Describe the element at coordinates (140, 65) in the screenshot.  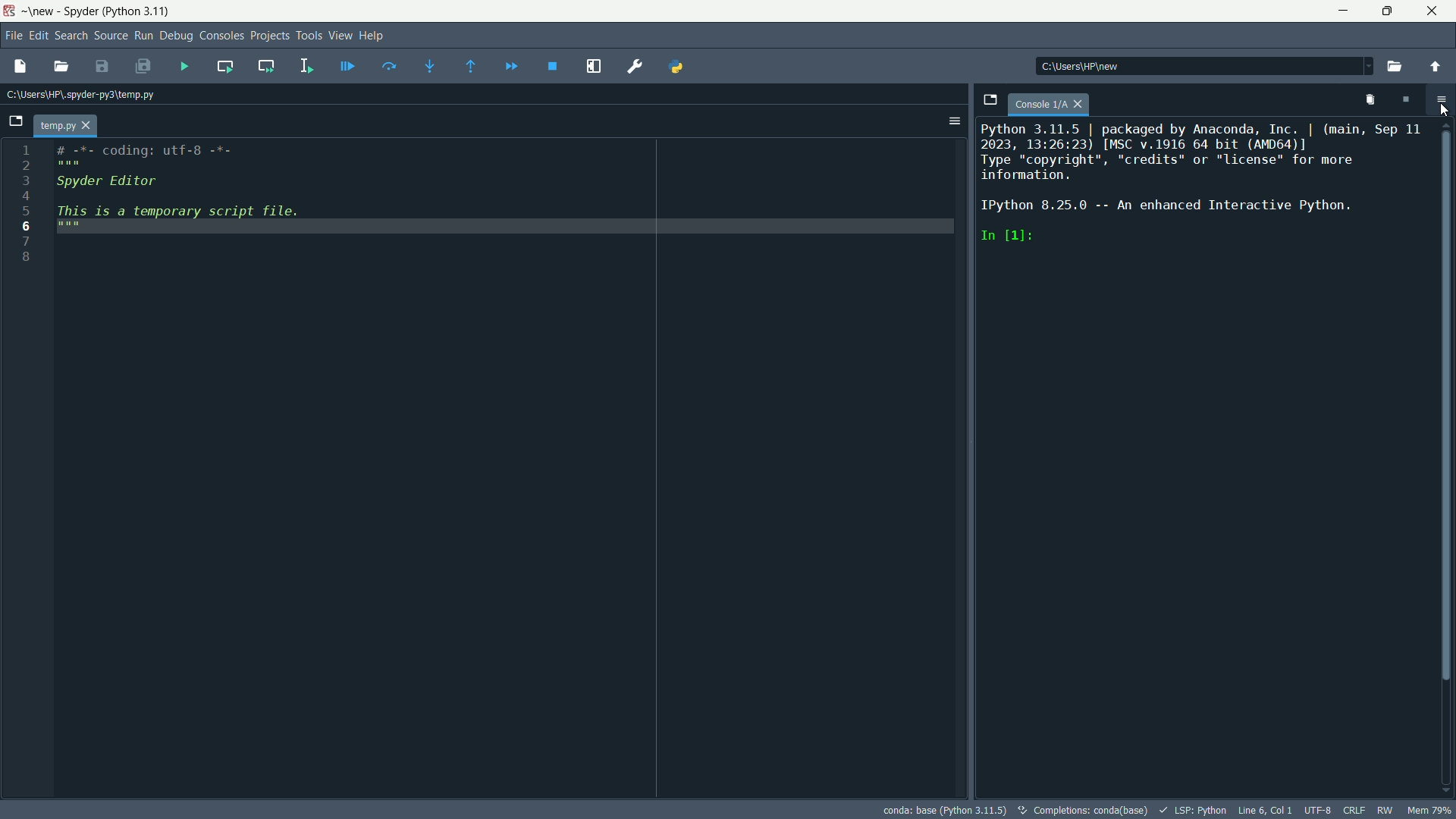
I see `save all files` at that location.